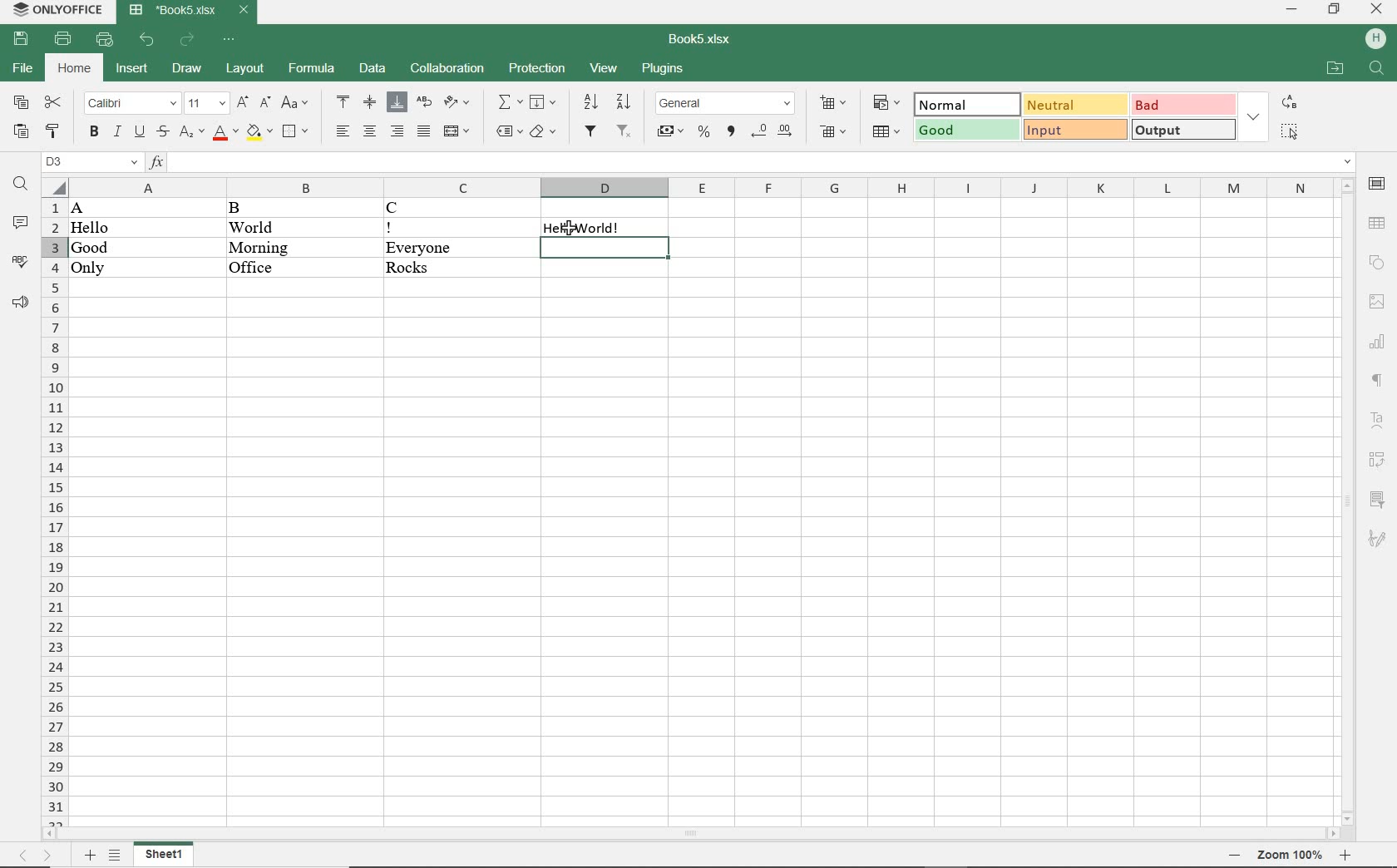 The width and height of the screenshot is (1397, 868). What do you see at coordinates (605, 248) in the screenshot?
I see `SELECTED CELL` at bounding box center [605, 248].